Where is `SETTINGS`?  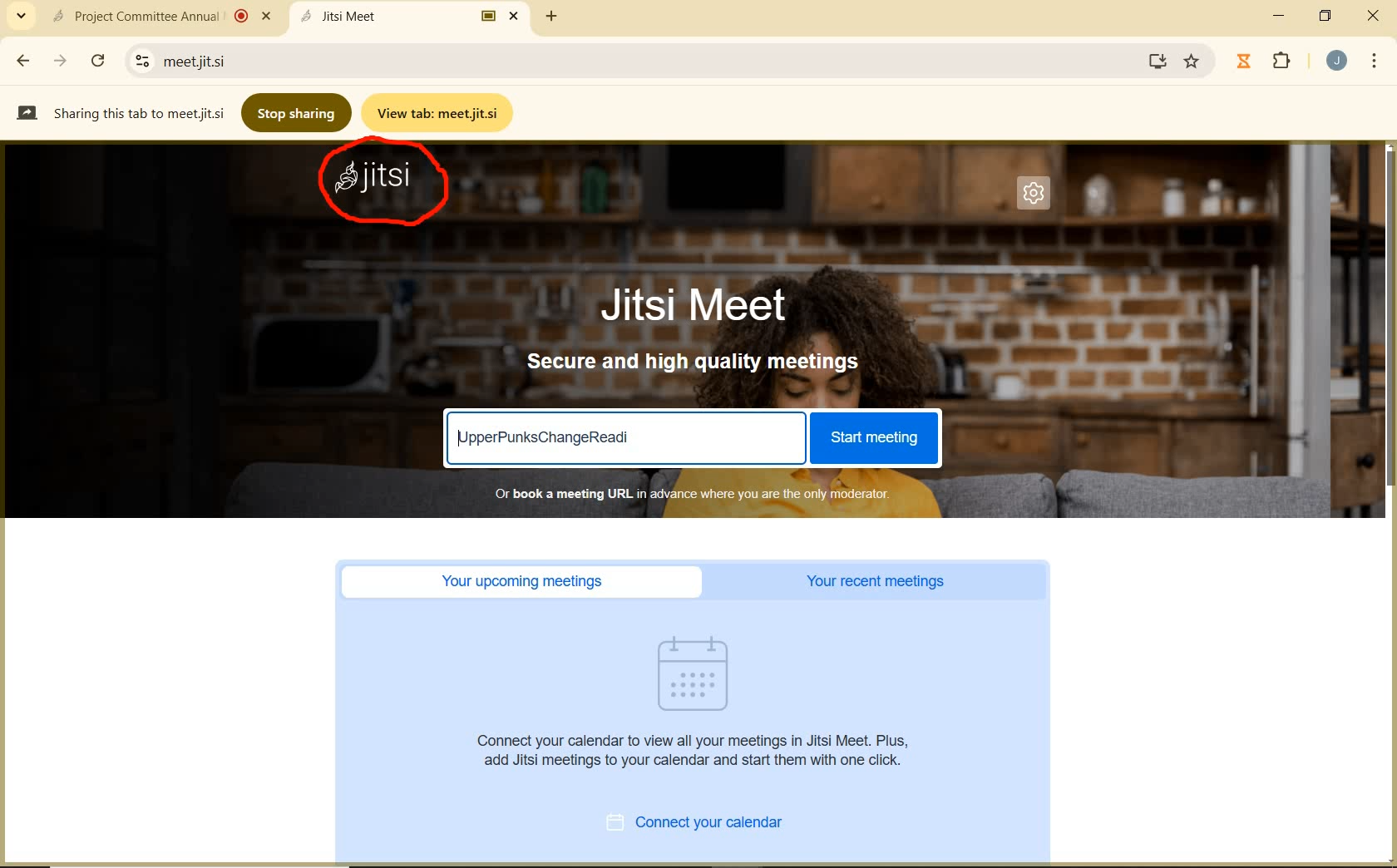
SETTINGS is located at coordinates (1039, 198).